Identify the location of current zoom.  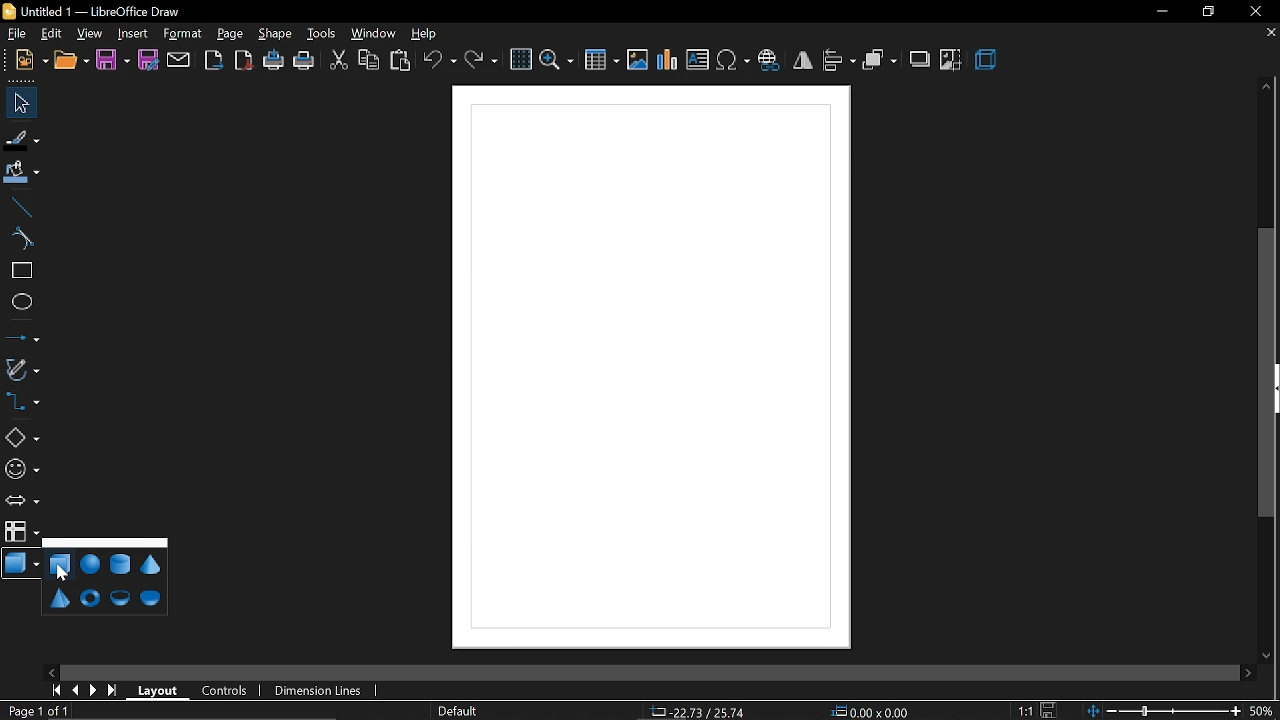
(1263, 711).